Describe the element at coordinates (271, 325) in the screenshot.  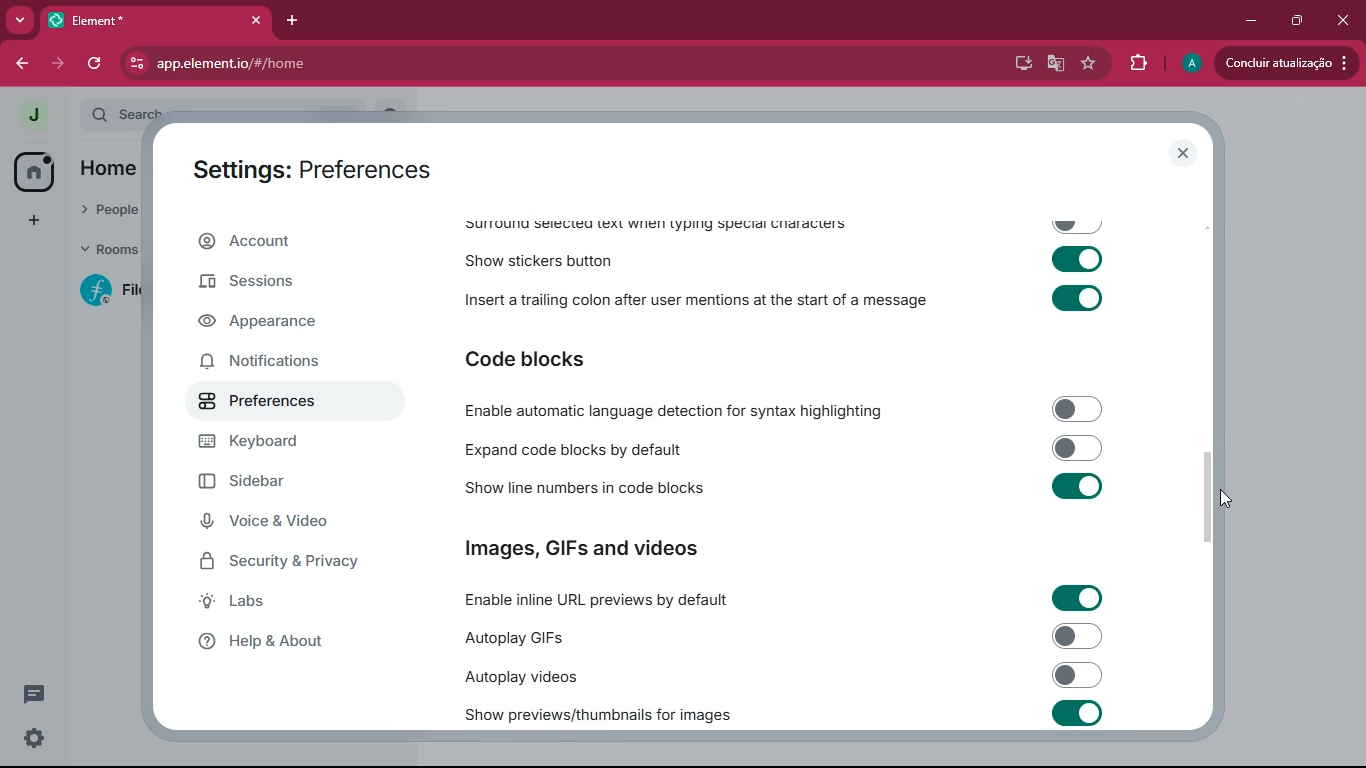
I see `appearance` at that location.